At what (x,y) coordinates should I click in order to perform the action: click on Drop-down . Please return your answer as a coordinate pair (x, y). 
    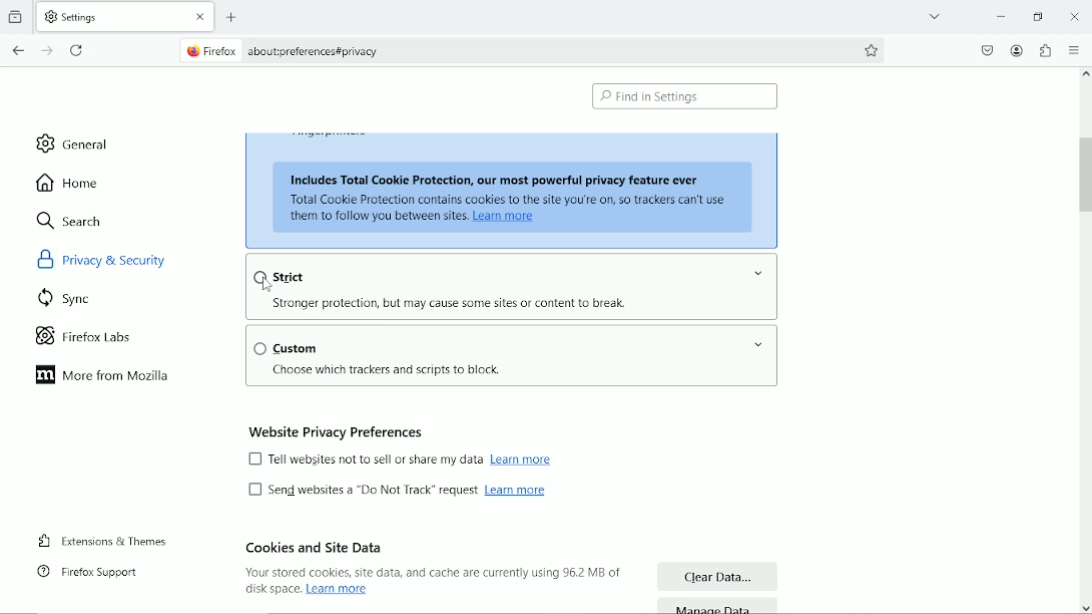
    Looking at the image, I should click on (759, 344).